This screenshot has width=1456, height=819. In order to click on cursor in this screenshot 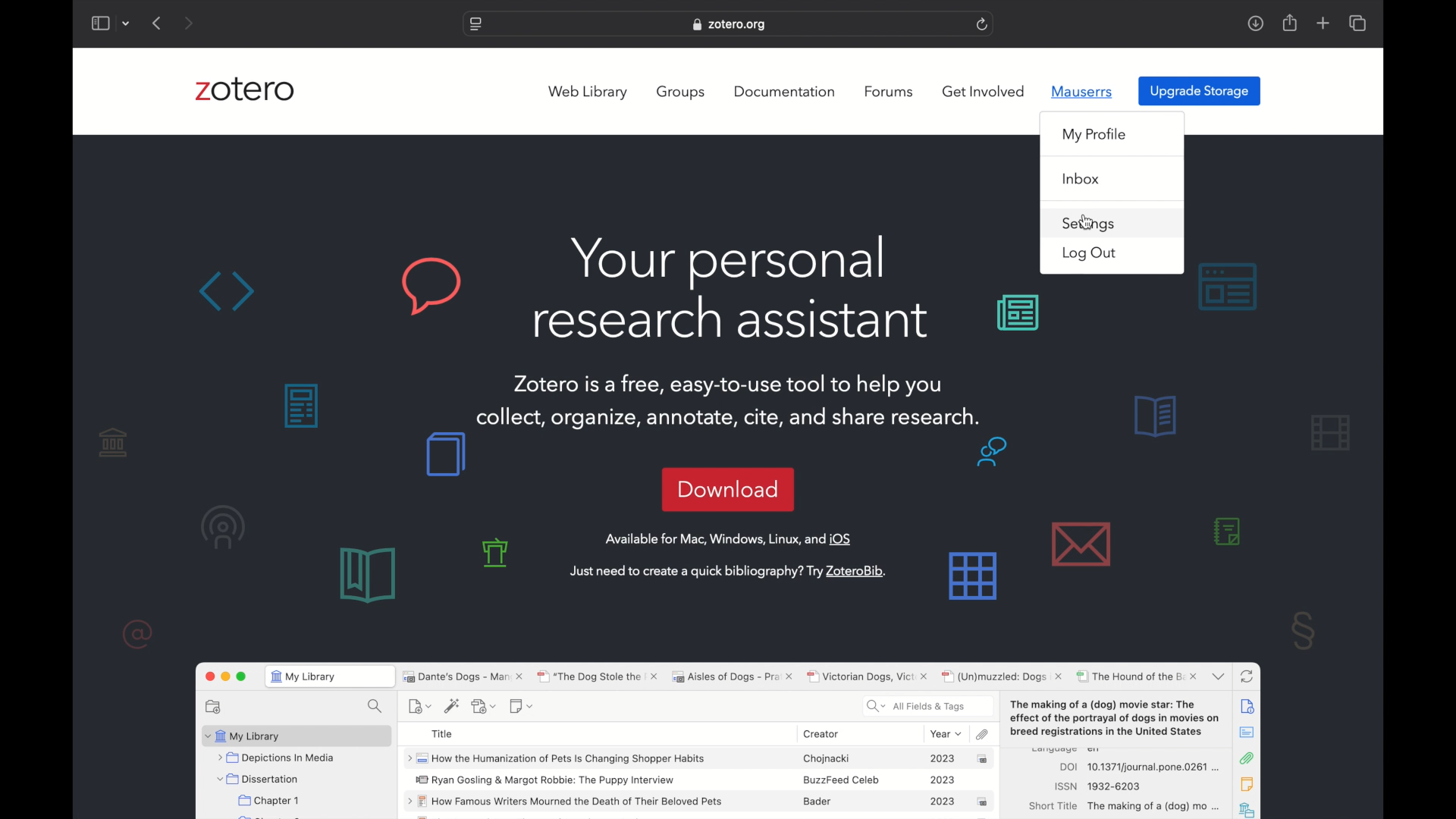, I will do `click(1084, 220)`.